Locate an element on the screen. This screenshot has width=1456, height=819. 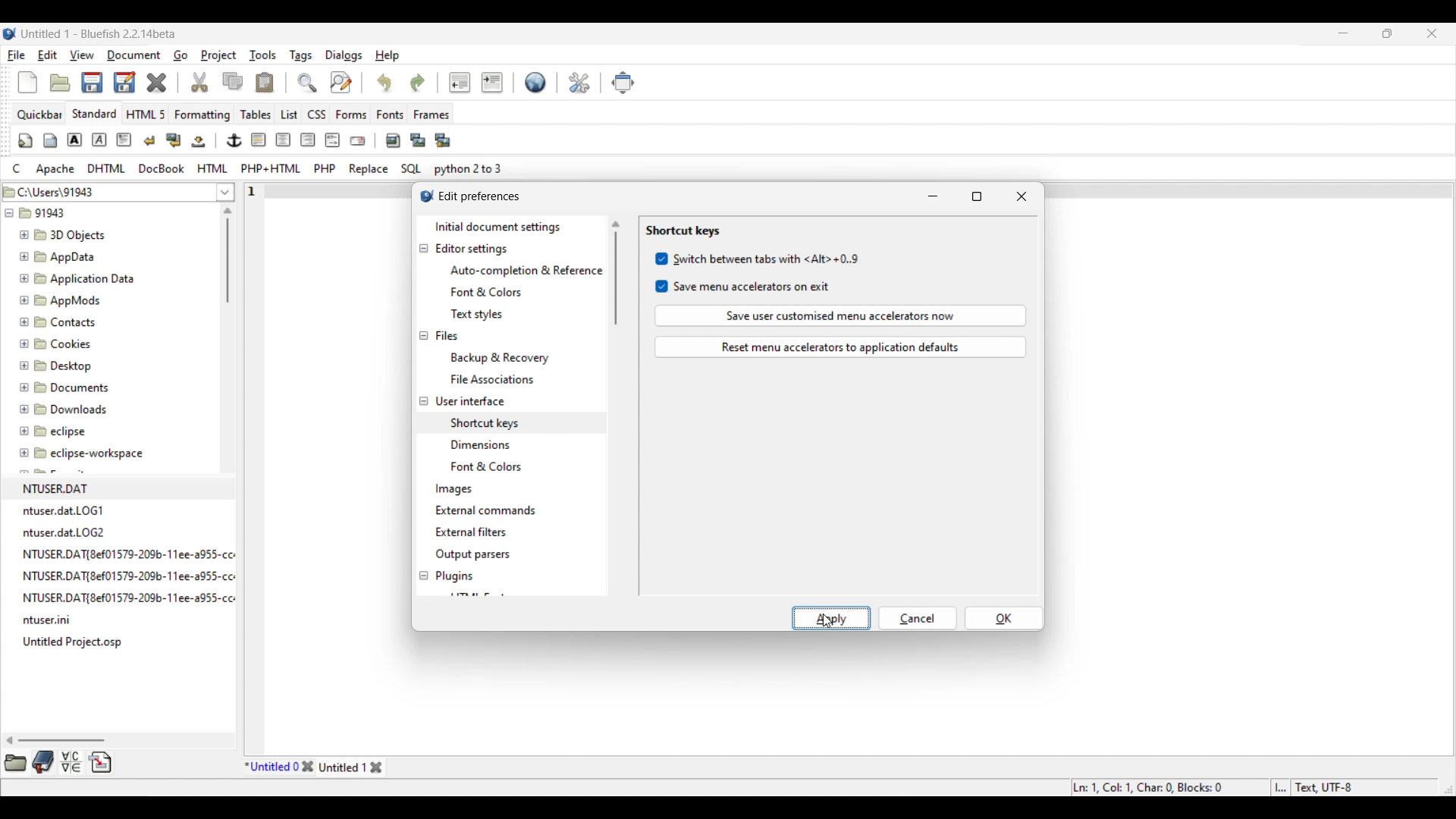
Help menu is located at coordinates (388, 56).